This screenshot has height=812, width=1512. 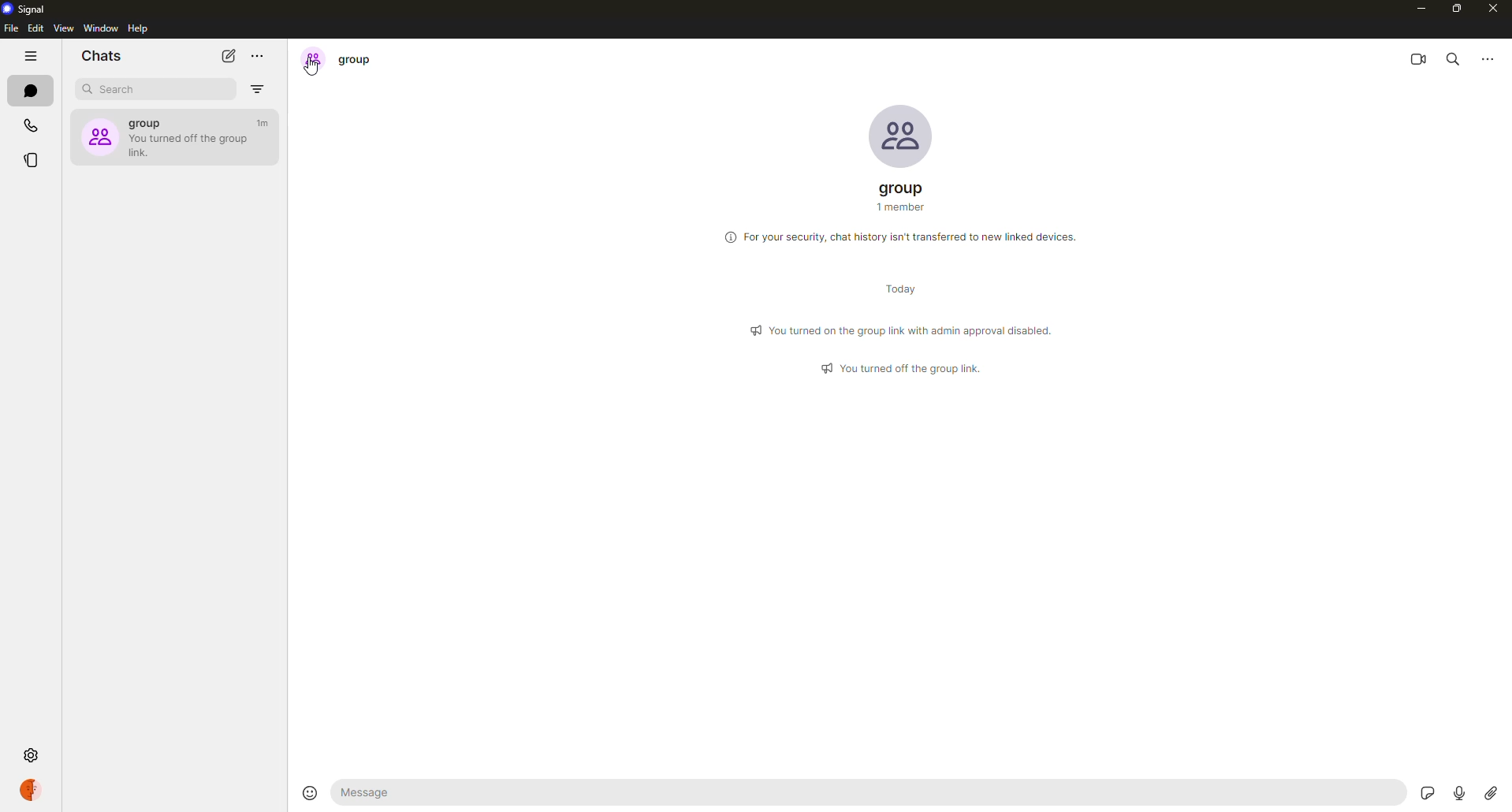 I want to click on signal, so click(x=29, y=11).